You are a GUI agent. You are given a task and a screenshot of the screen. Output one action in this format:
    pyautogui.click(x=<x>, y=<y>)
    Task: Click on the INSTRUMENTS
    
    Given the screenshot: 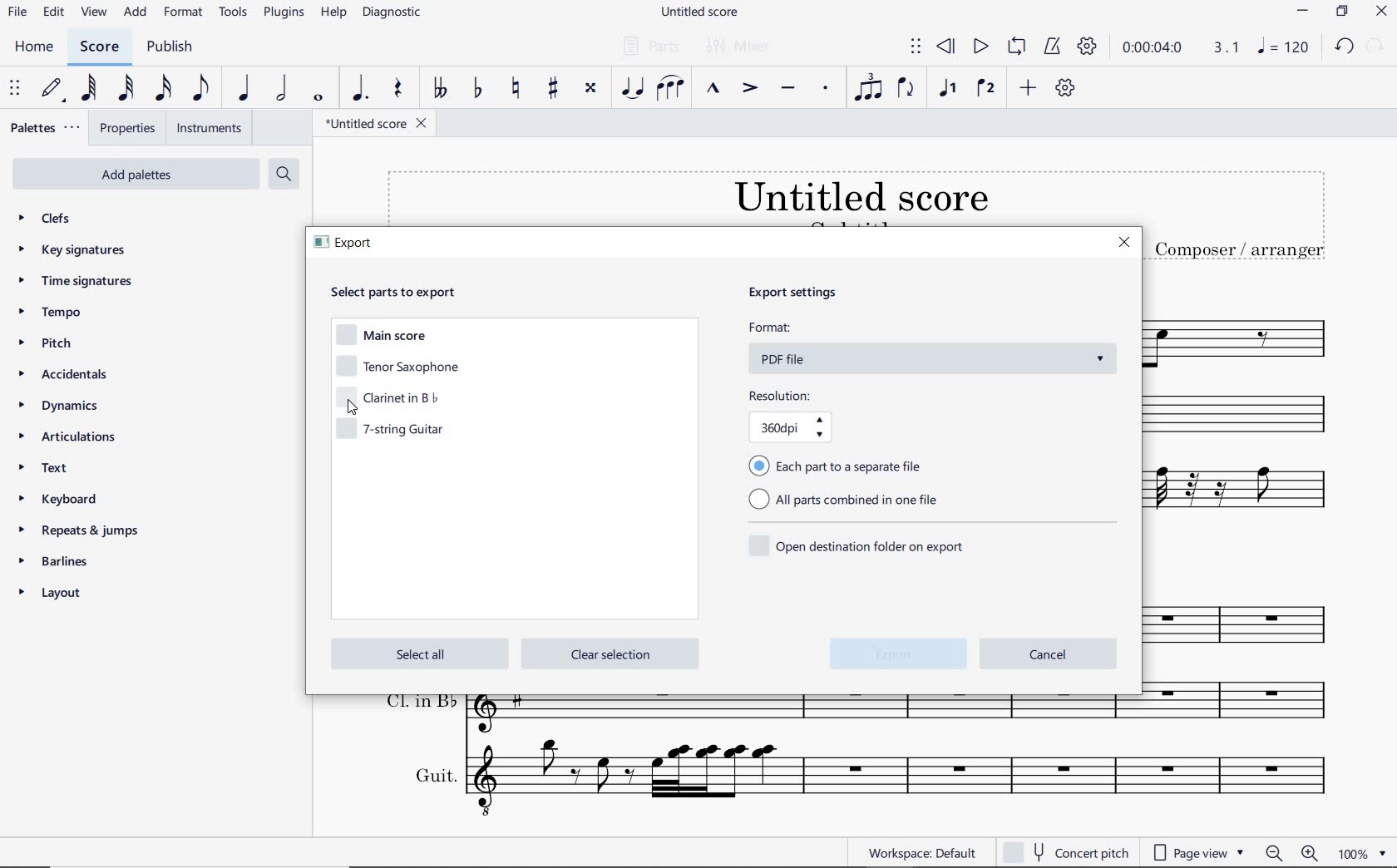 What is the action you would take?
    pyautogui.click(x=208, y=129)
    